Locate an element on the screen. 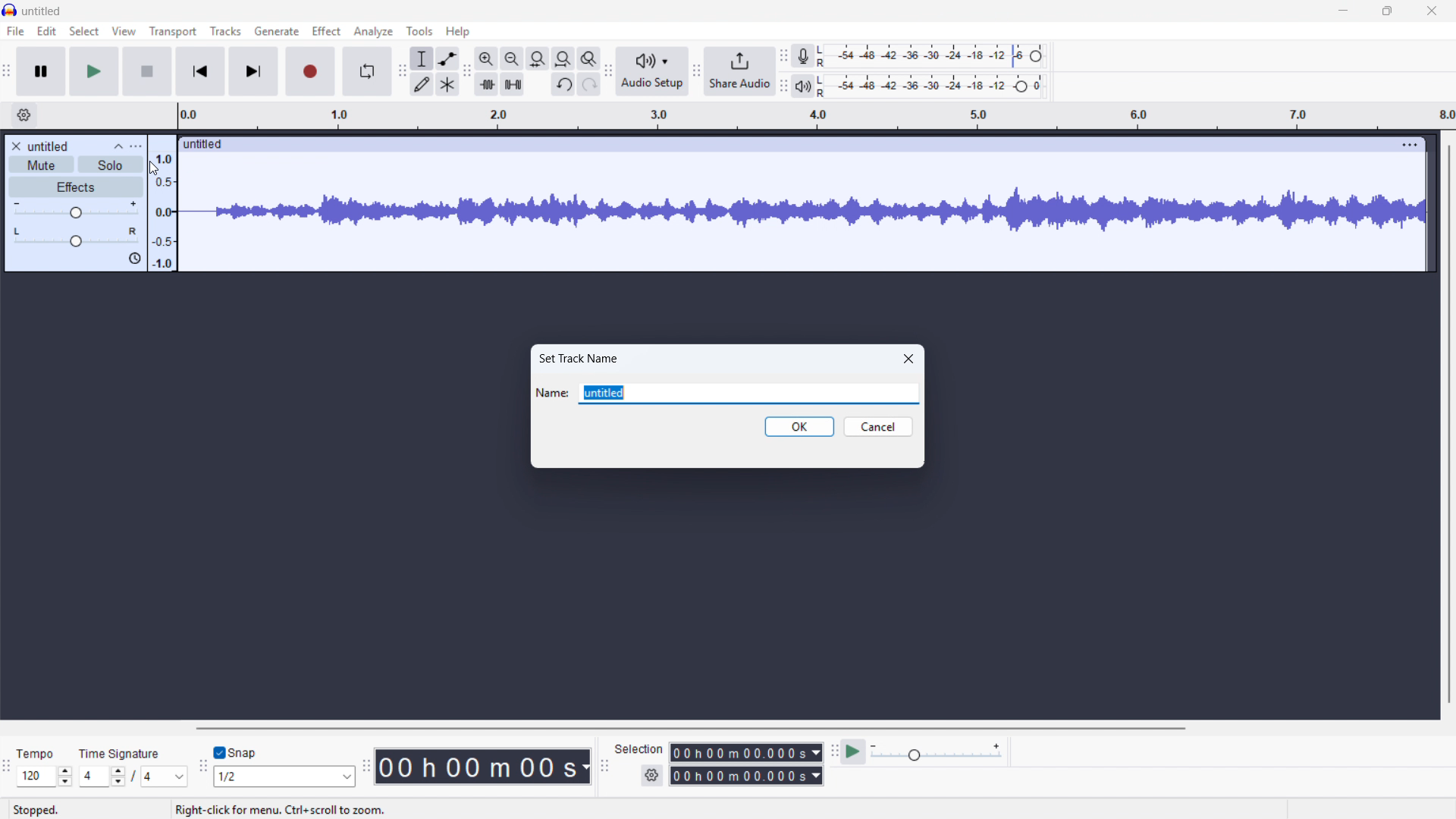 This screenshot has width=1456, height=819.  Set track name  is located at coordinates (579, 357).